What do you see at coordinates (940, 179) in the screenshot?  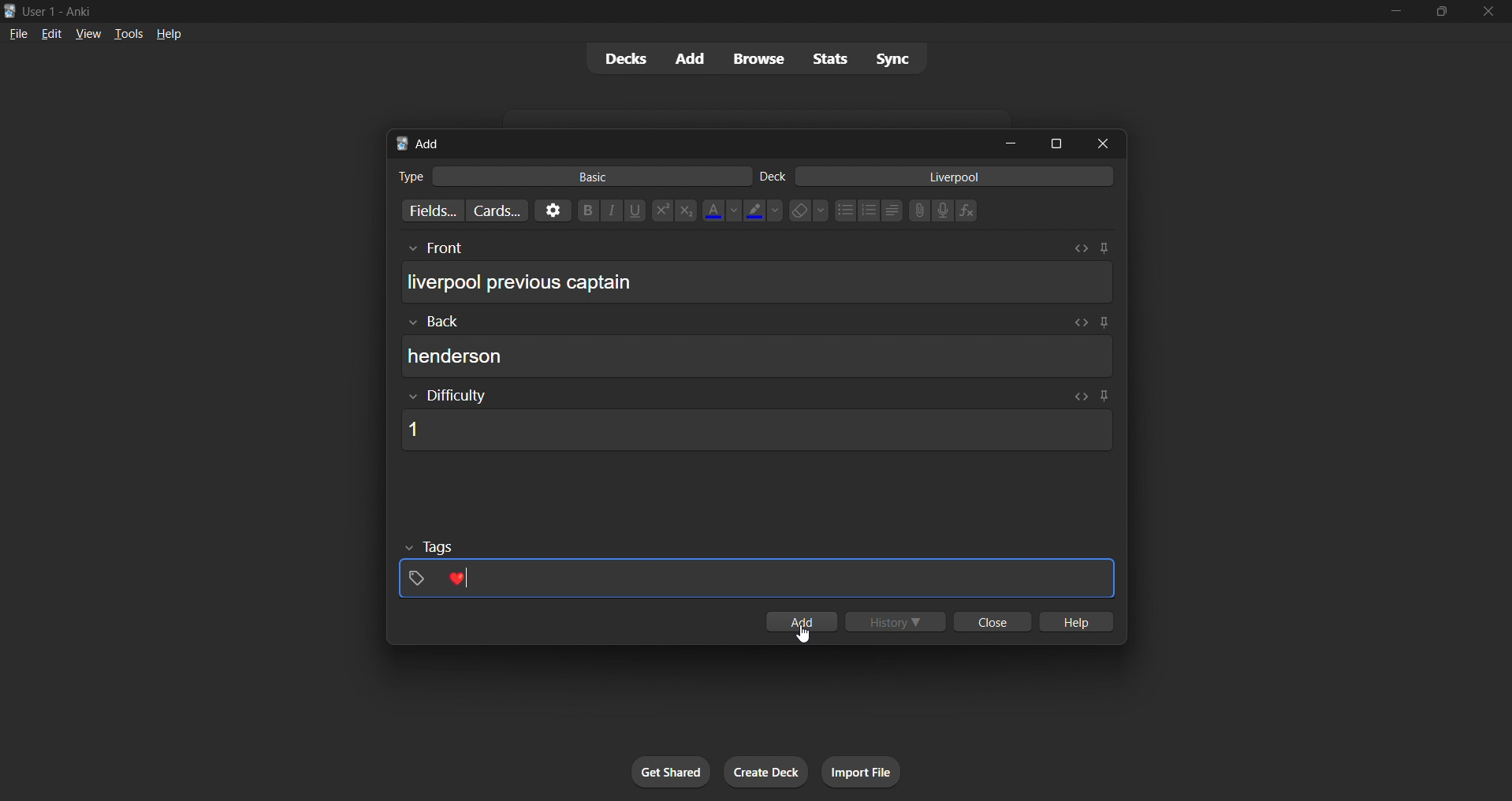 I see `card deck input box` at bounding box center [940, 179].